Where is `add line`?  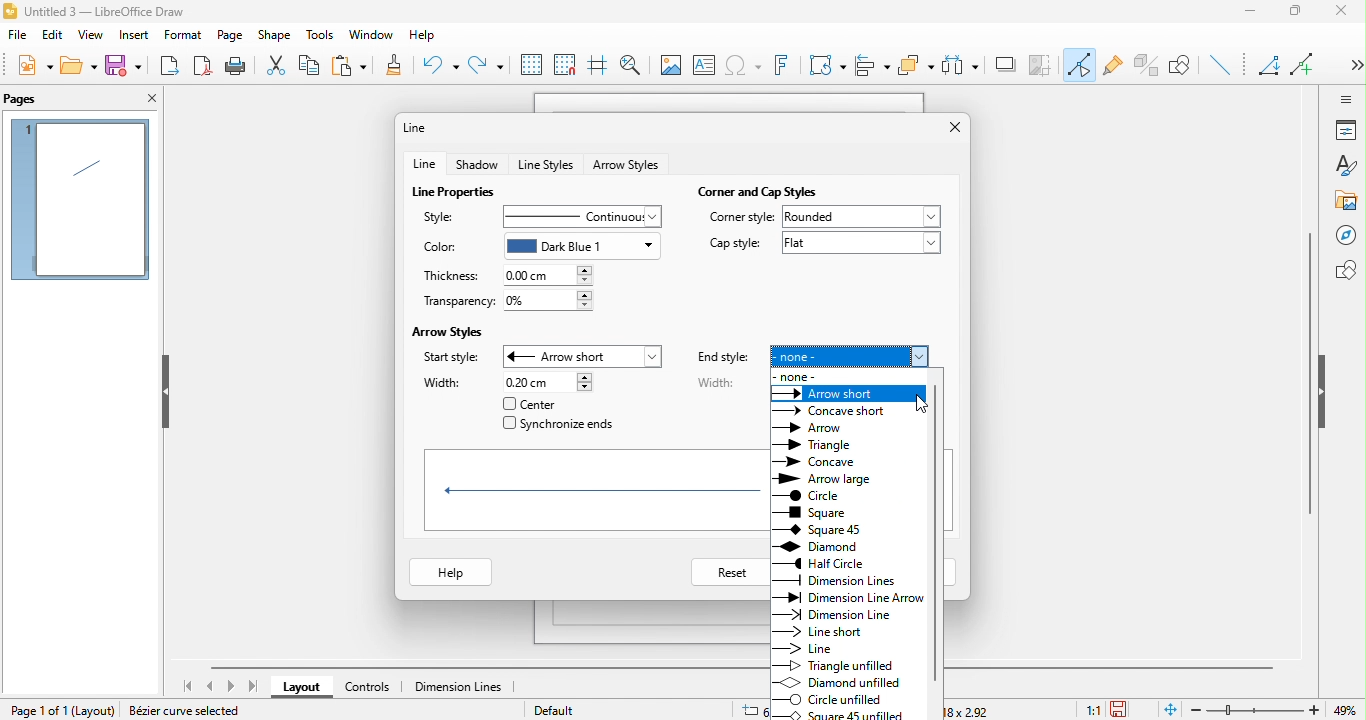
add line is located at coordinates (1307, 62).